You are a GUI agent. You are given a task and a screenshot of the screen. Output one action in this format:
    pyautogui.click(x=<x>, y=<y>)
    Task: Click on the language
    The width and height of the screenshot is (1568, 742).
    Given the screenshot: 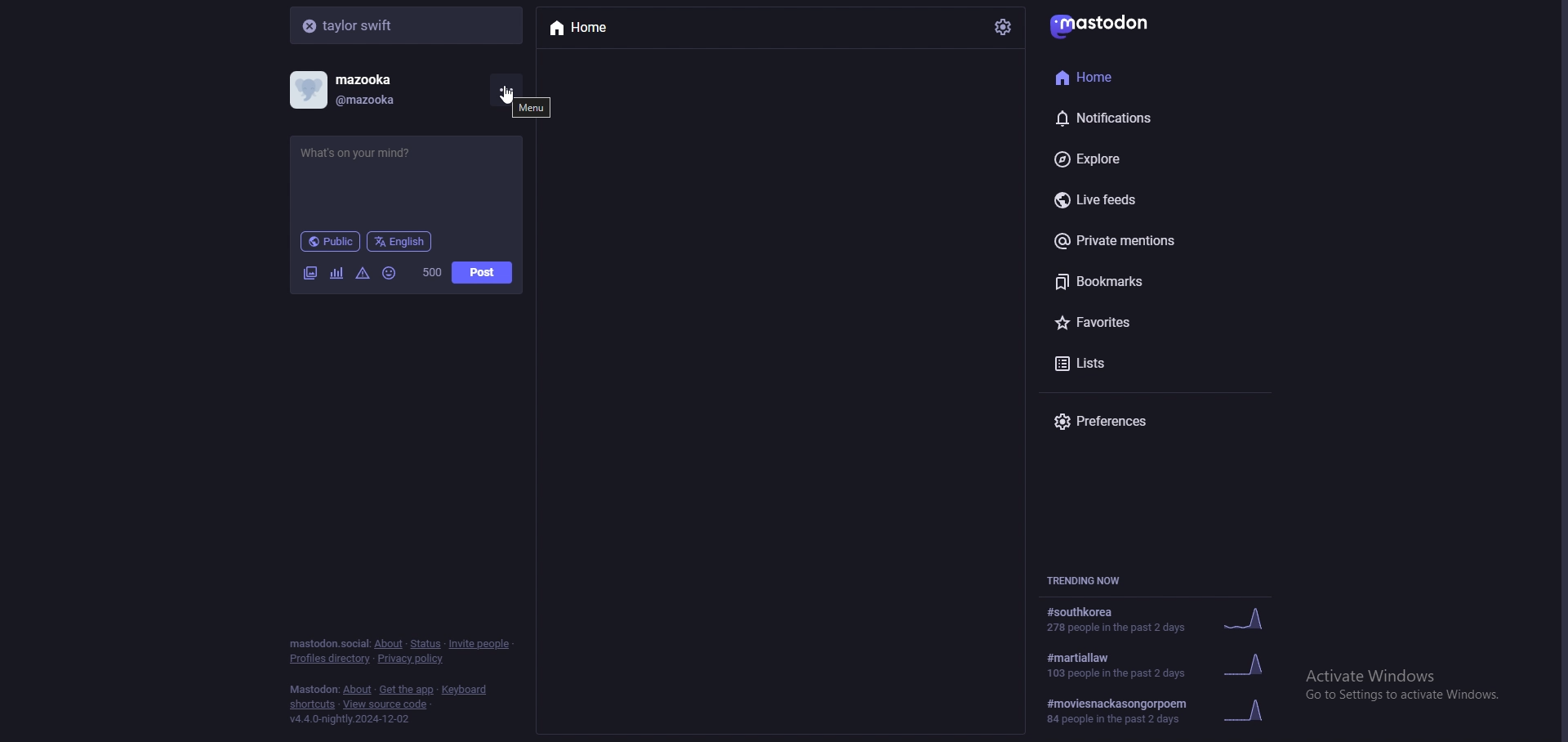 What is the action you would take?
    pyautogui.click(x=402, y=241)
    